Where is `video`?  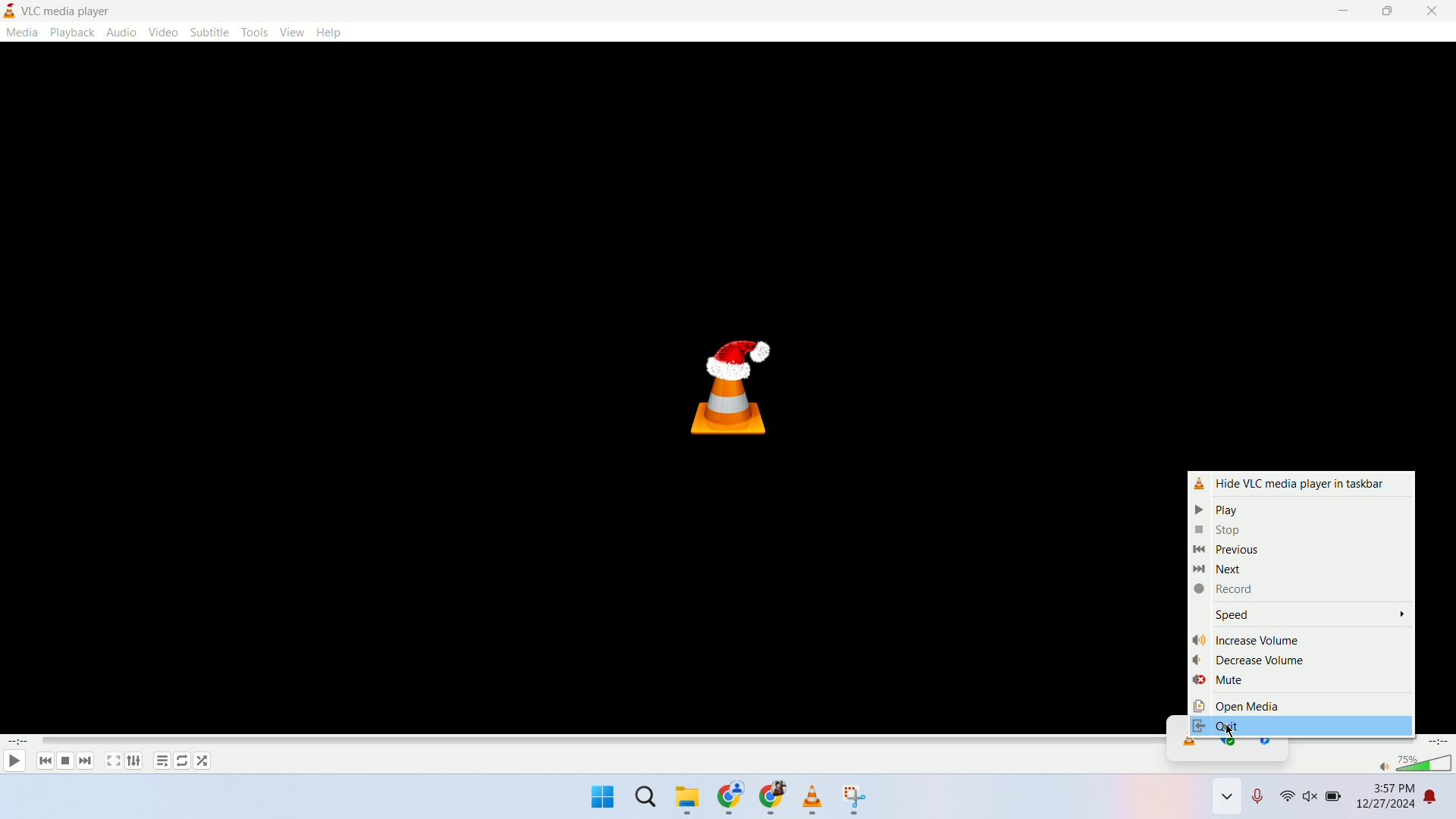 video is located at coordinates (162, 33).